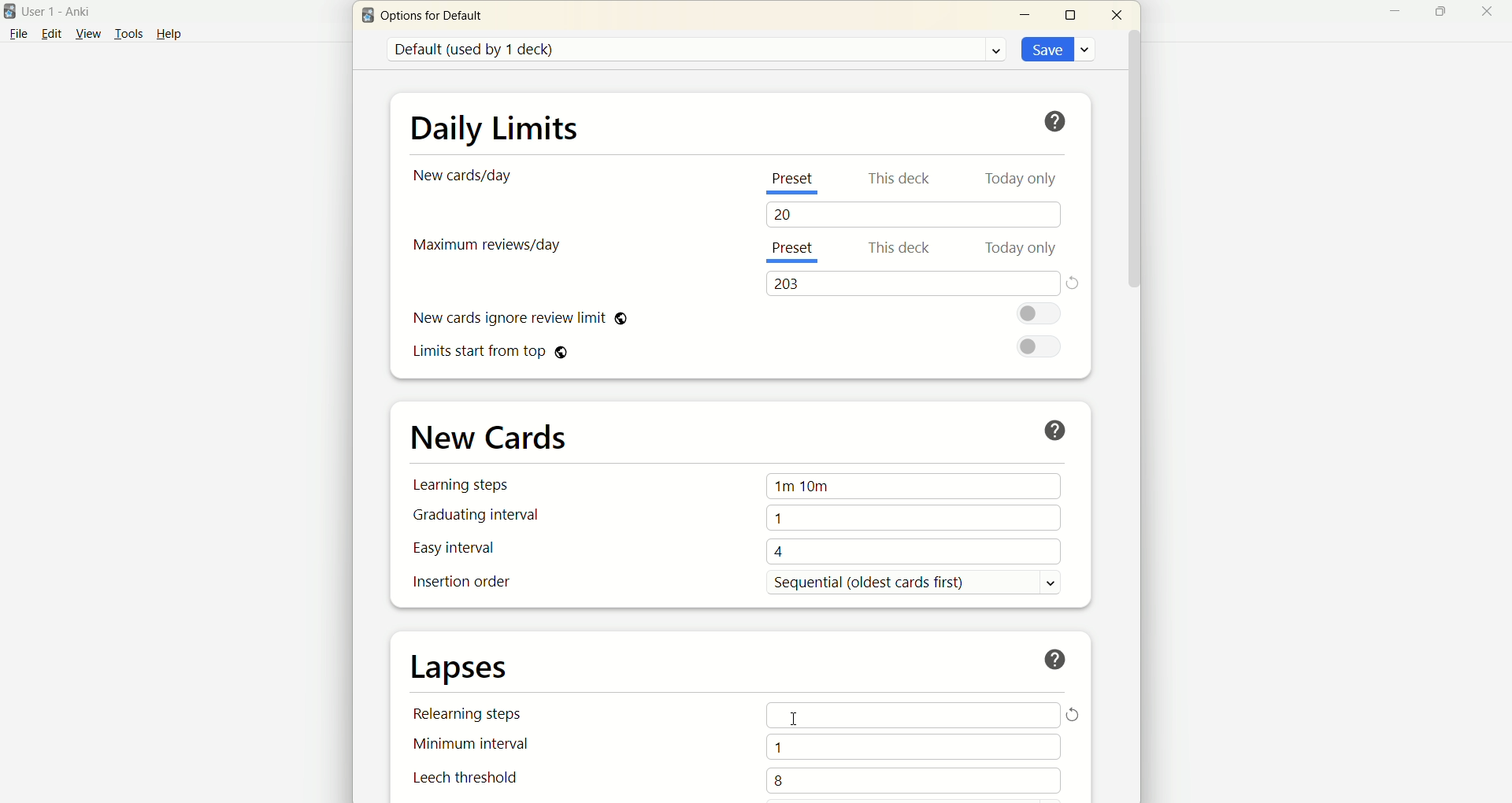 This screenshot has height=803, width=1512. Describe the element at coordinates (791, 185) in the screenshot. I see `present` at that location.